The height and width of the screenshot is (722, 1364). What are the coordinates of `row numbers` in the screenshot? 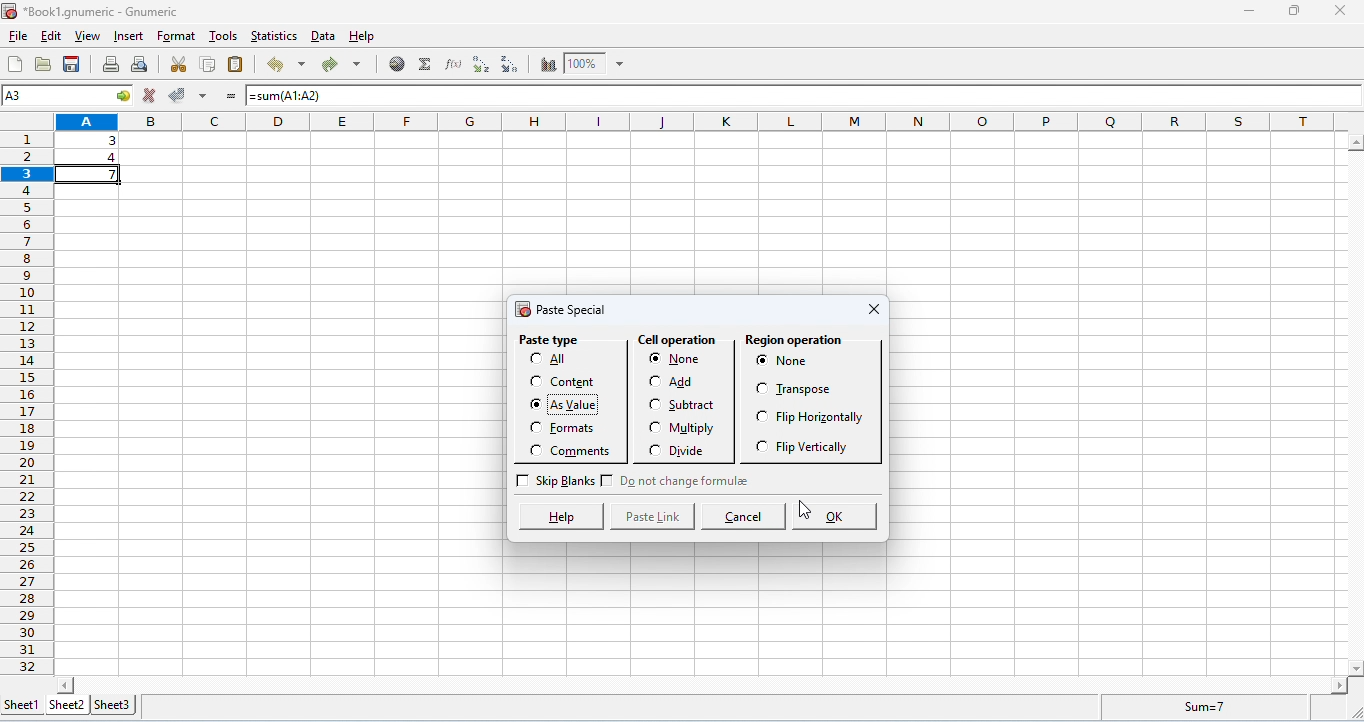 It's located at (26, 398).